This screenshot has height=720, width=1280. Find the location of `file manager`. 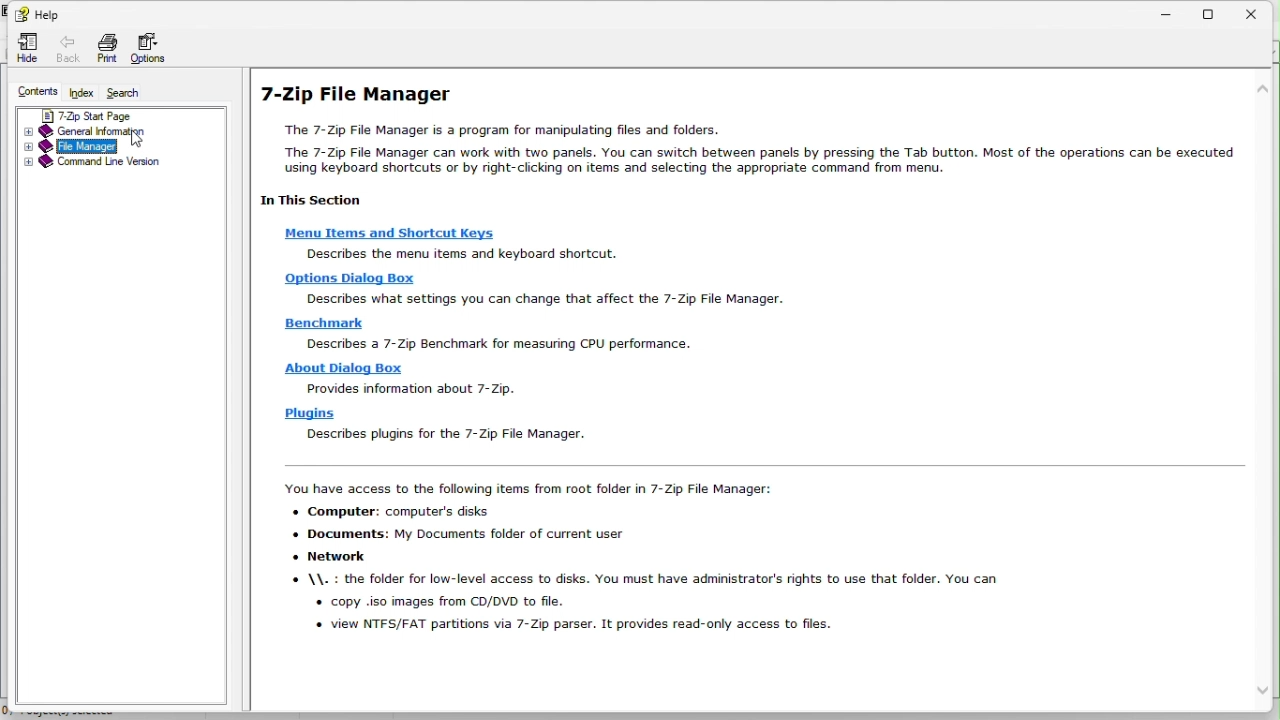

file manager is located at coordinates (123, 147).